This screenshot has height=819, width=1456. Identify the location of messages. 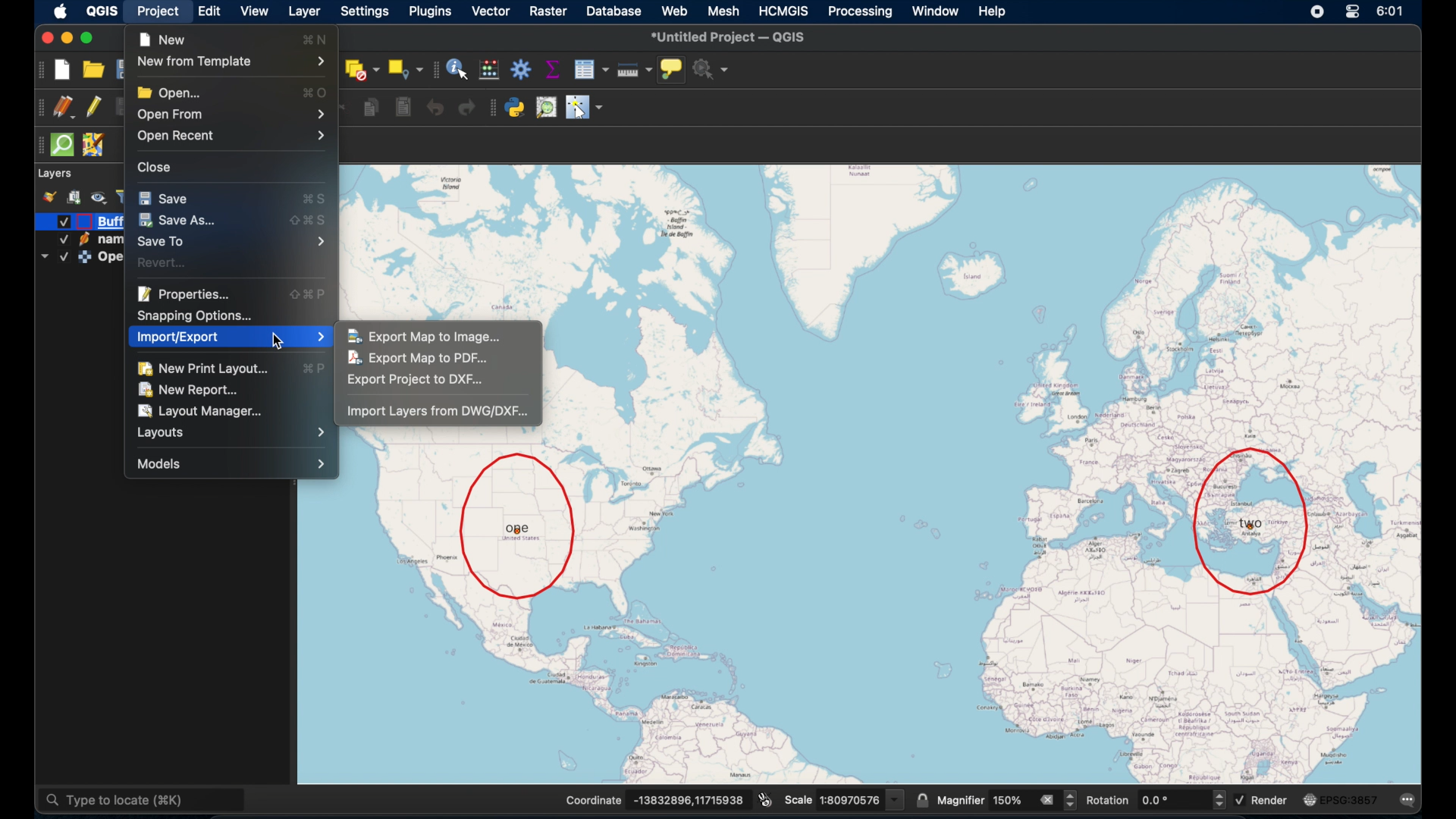
(1409, 799).